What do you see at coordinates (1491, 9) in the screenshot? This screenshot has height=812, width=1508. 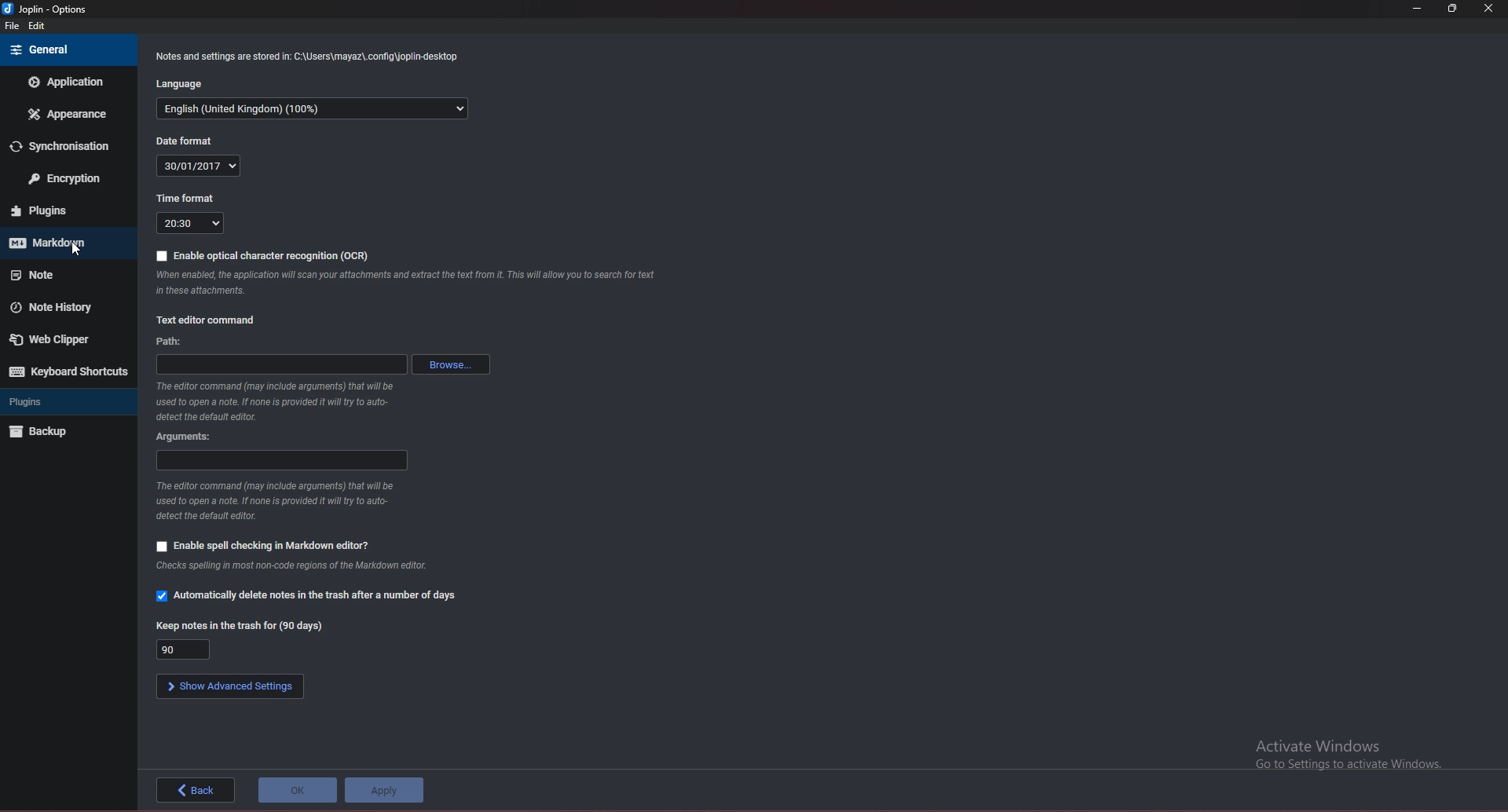 I see `close` at bounding box center [1491, 9].